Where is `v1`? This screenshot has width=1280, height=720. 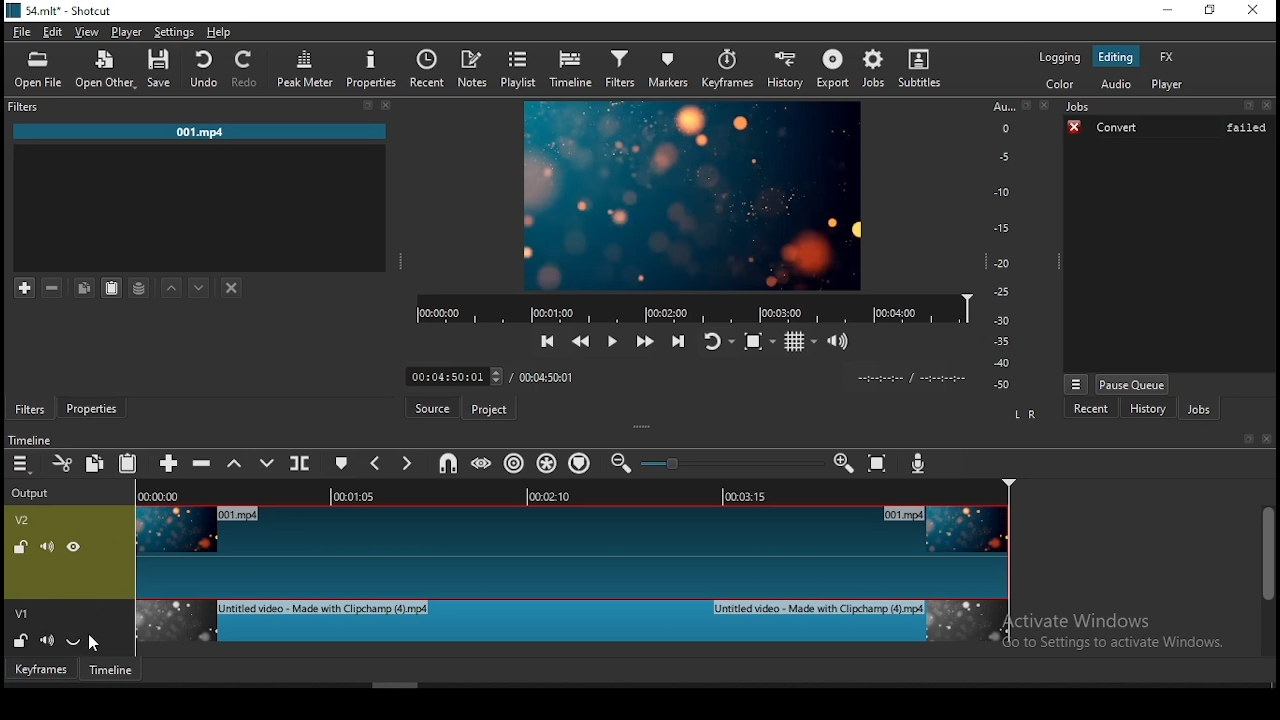 v1 is located at coordinates (22, 612).